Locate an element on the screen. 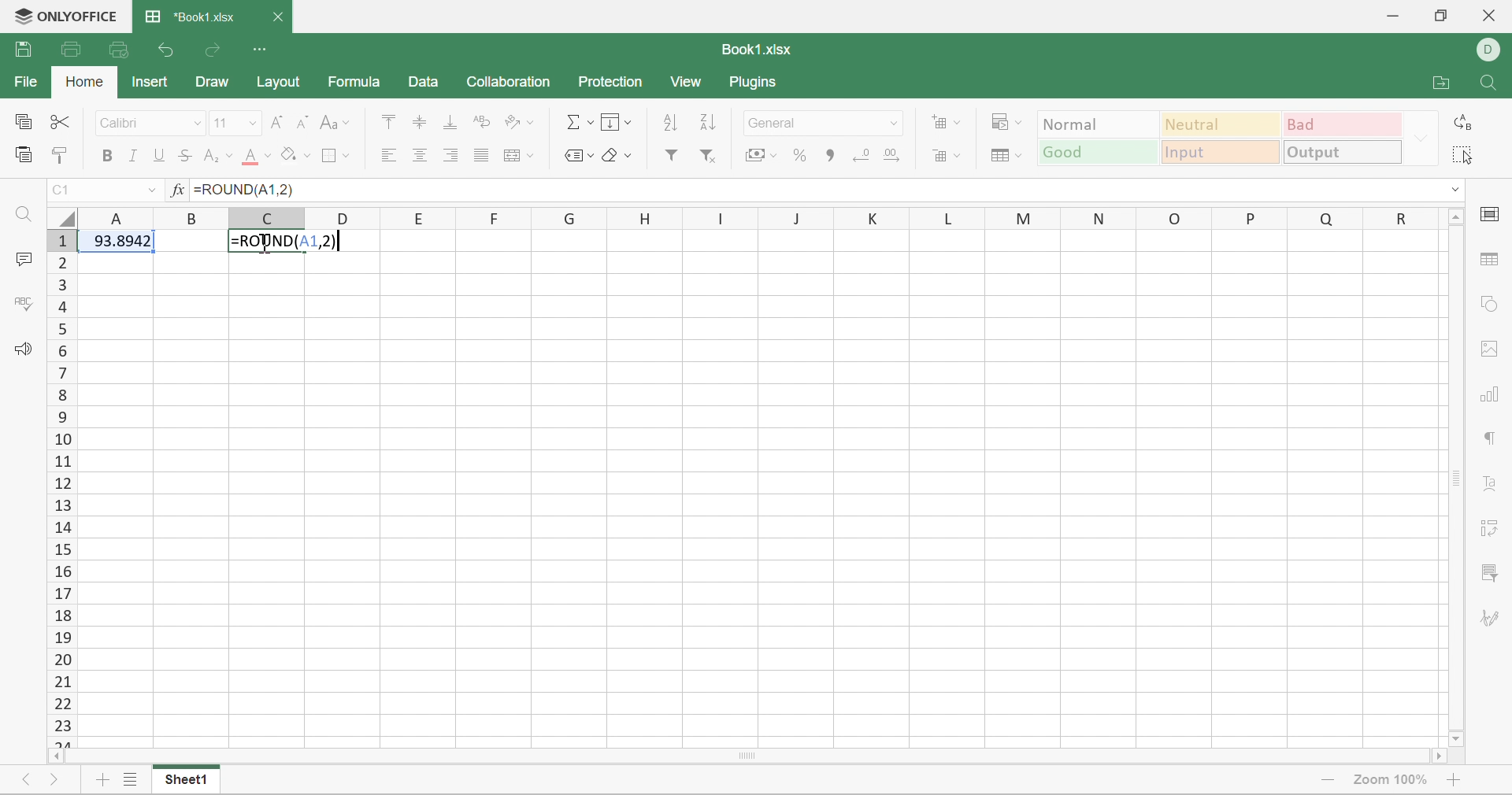  Previous is located at coordinates (28, 780).